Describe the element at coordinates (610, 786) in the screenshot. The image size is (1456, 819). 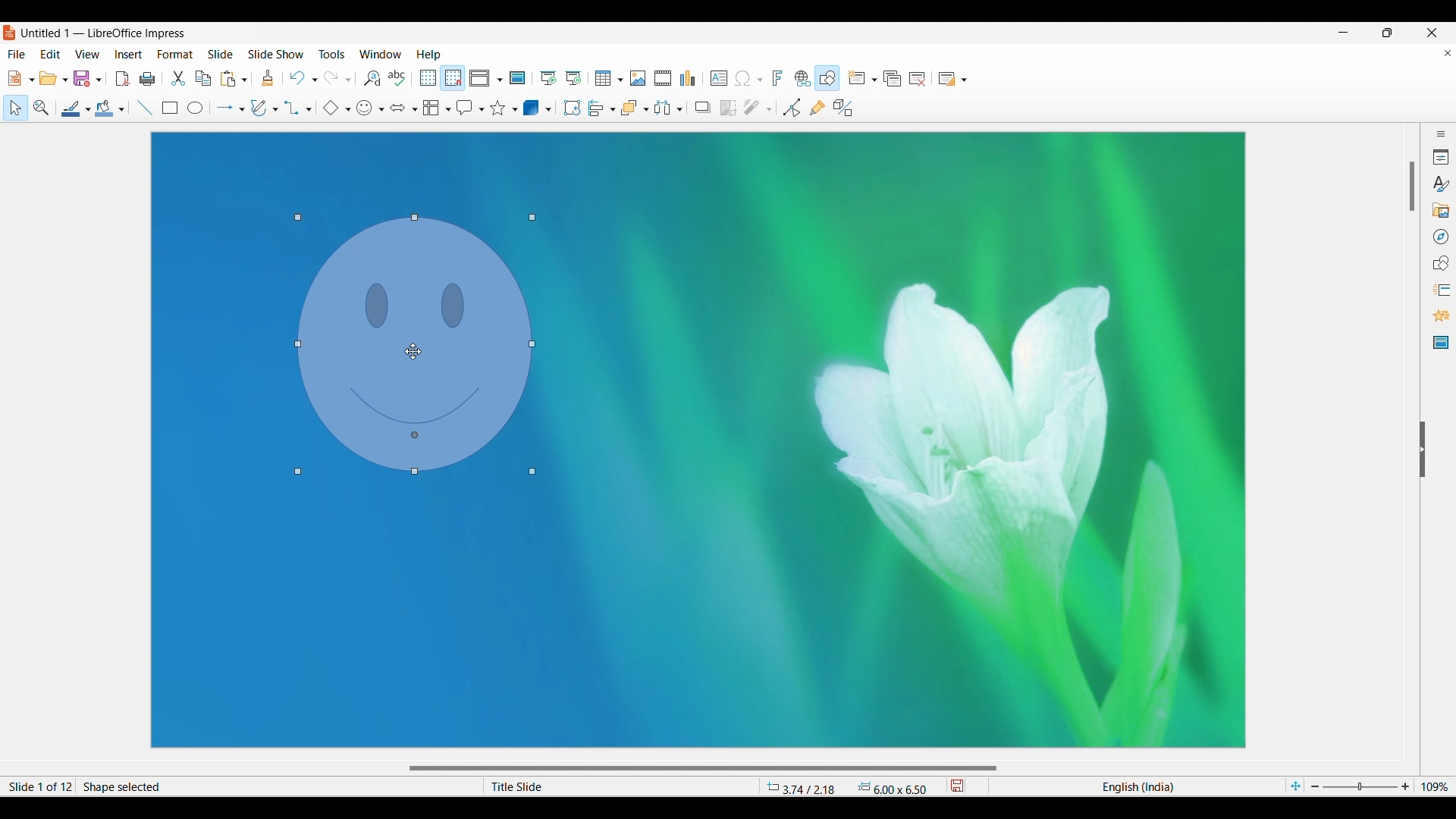
I see `Title Slide` at that location.